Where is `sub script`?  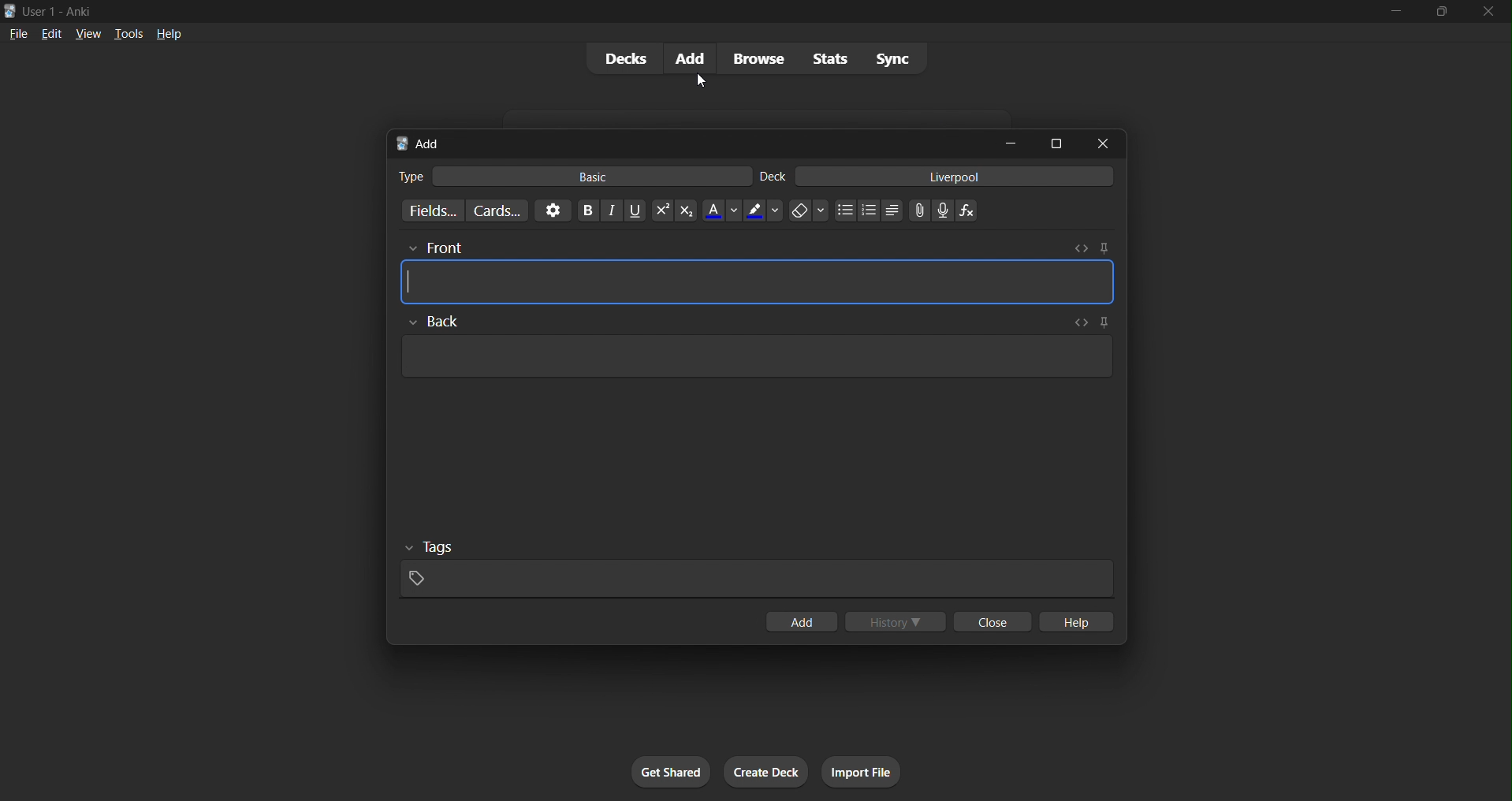
sub script is located at coordinates (685, 210).